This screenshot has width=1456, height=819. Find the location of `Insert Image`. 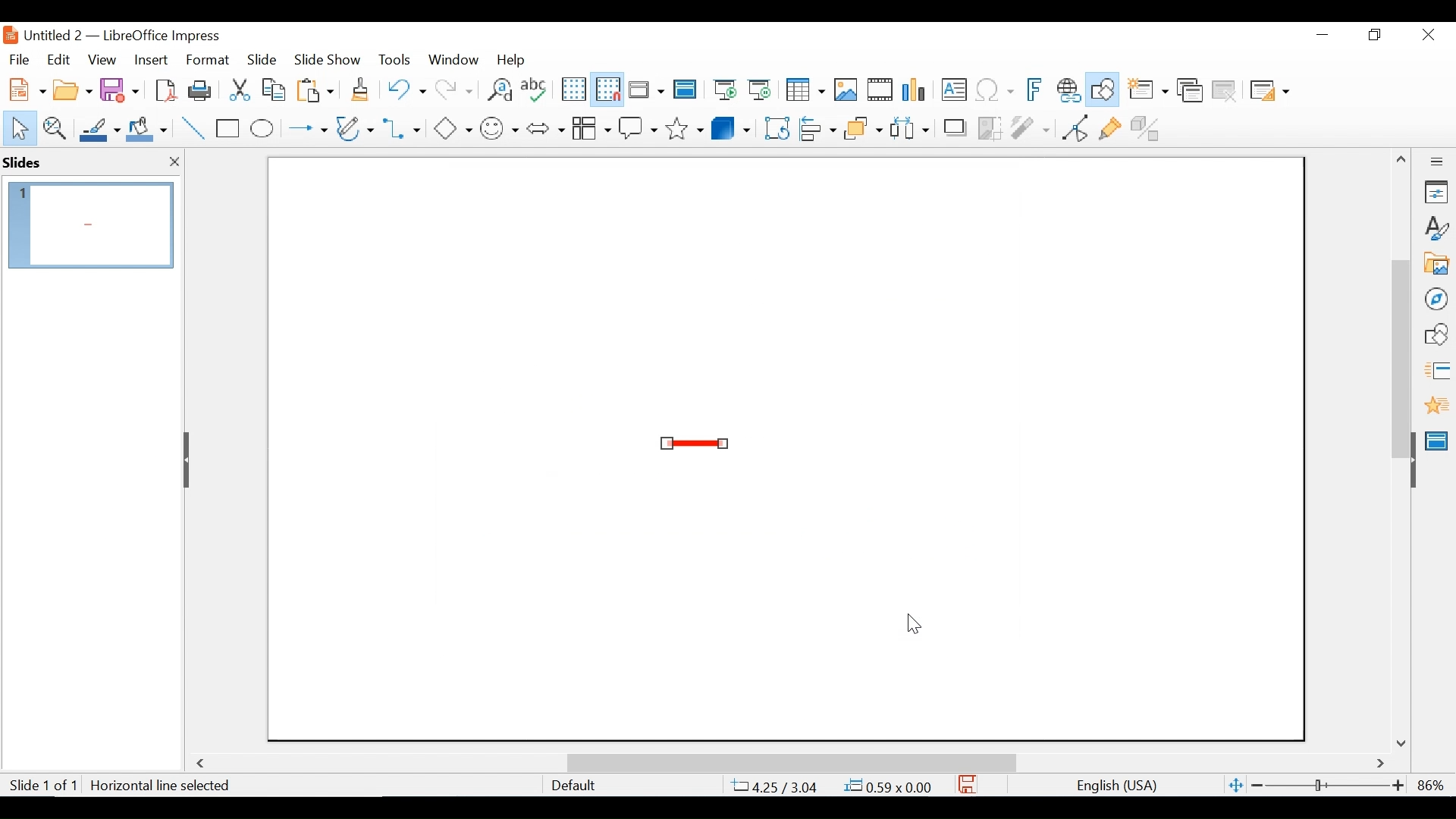

Insert Image is located at coordinates (845, 90).